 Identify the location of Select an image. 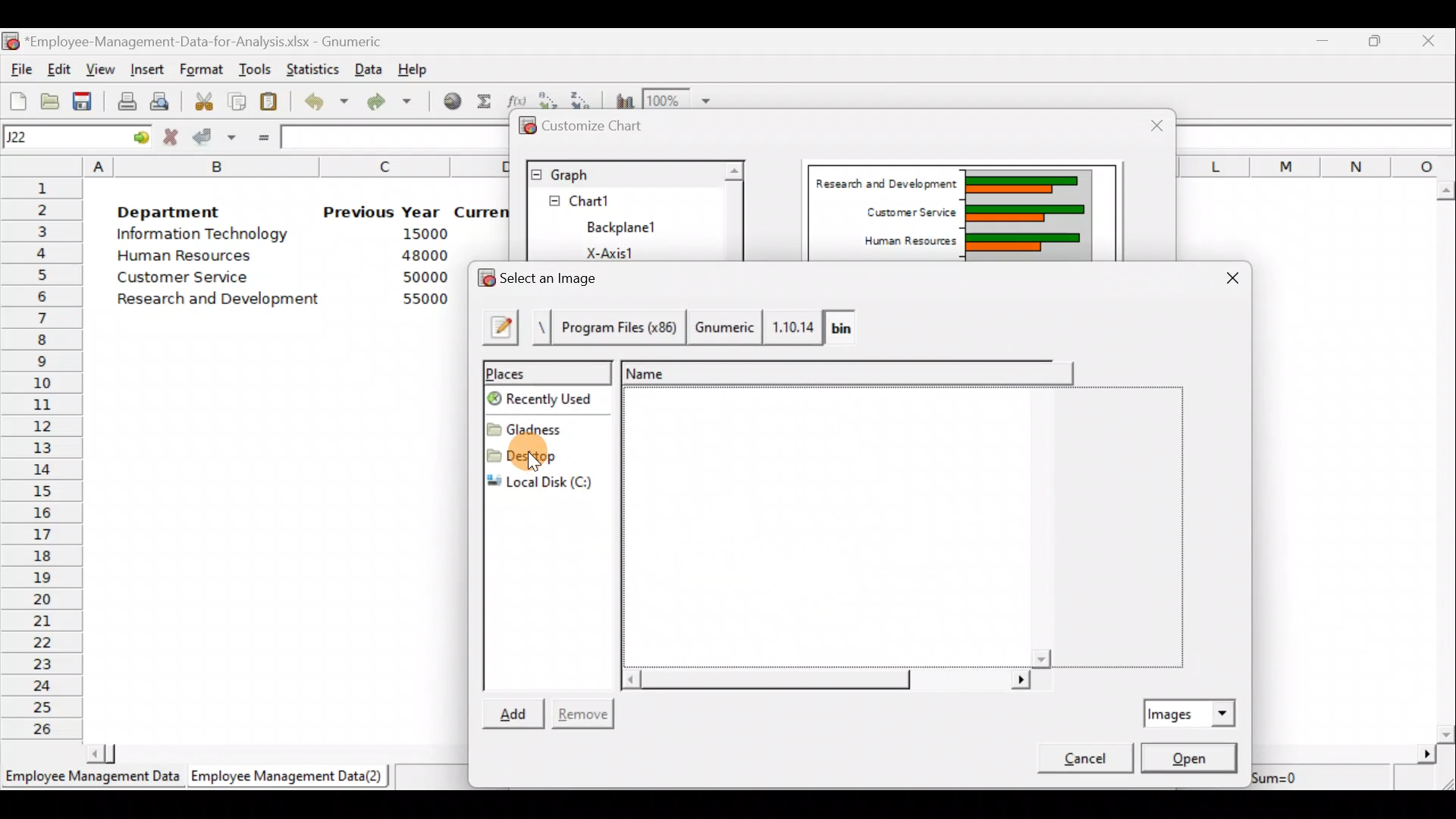
(544, 278).